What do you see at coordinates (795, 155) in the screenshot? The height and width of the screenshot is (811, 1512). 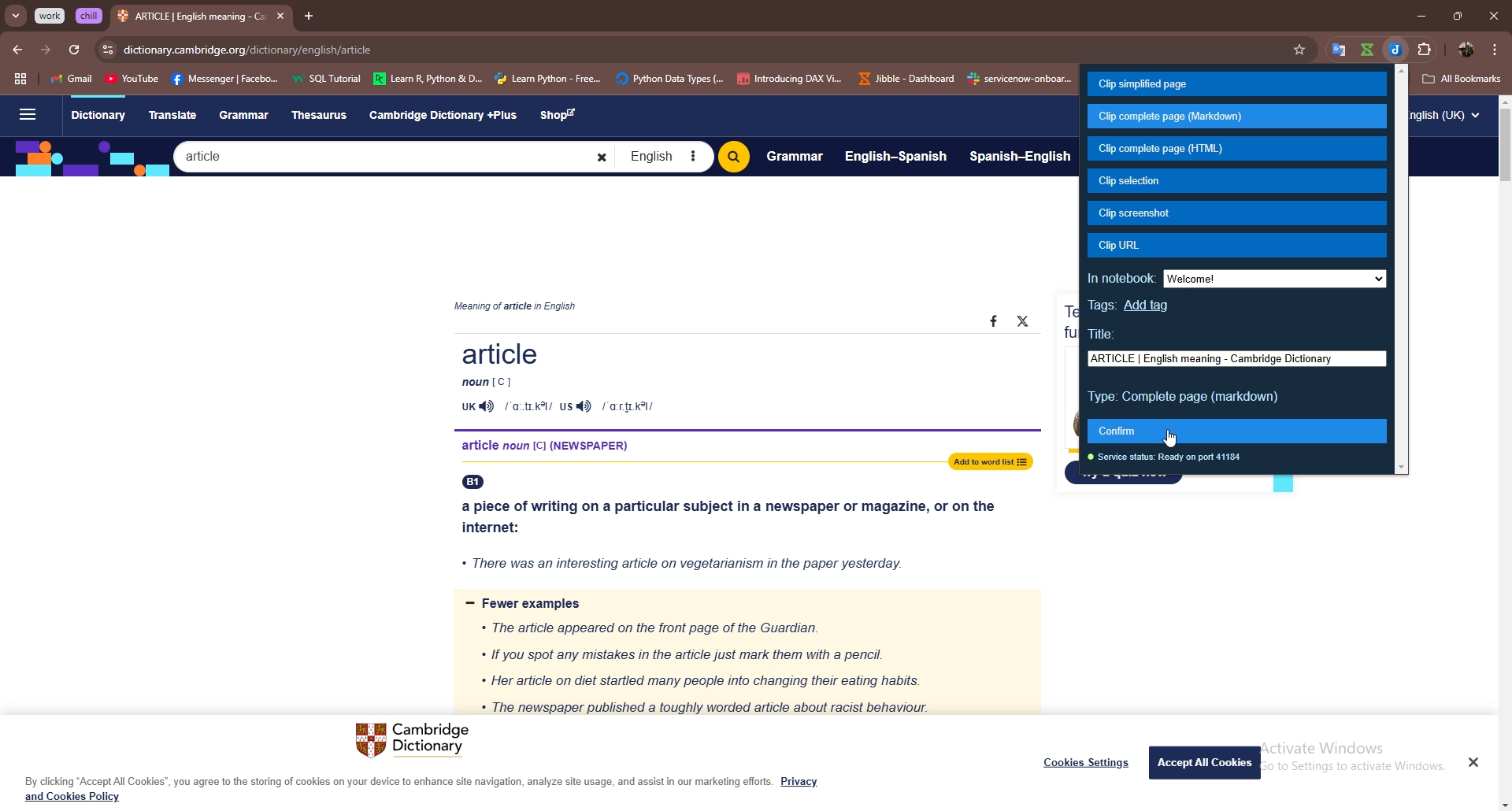 I see `Grammar` at bounding box center [795, 155].